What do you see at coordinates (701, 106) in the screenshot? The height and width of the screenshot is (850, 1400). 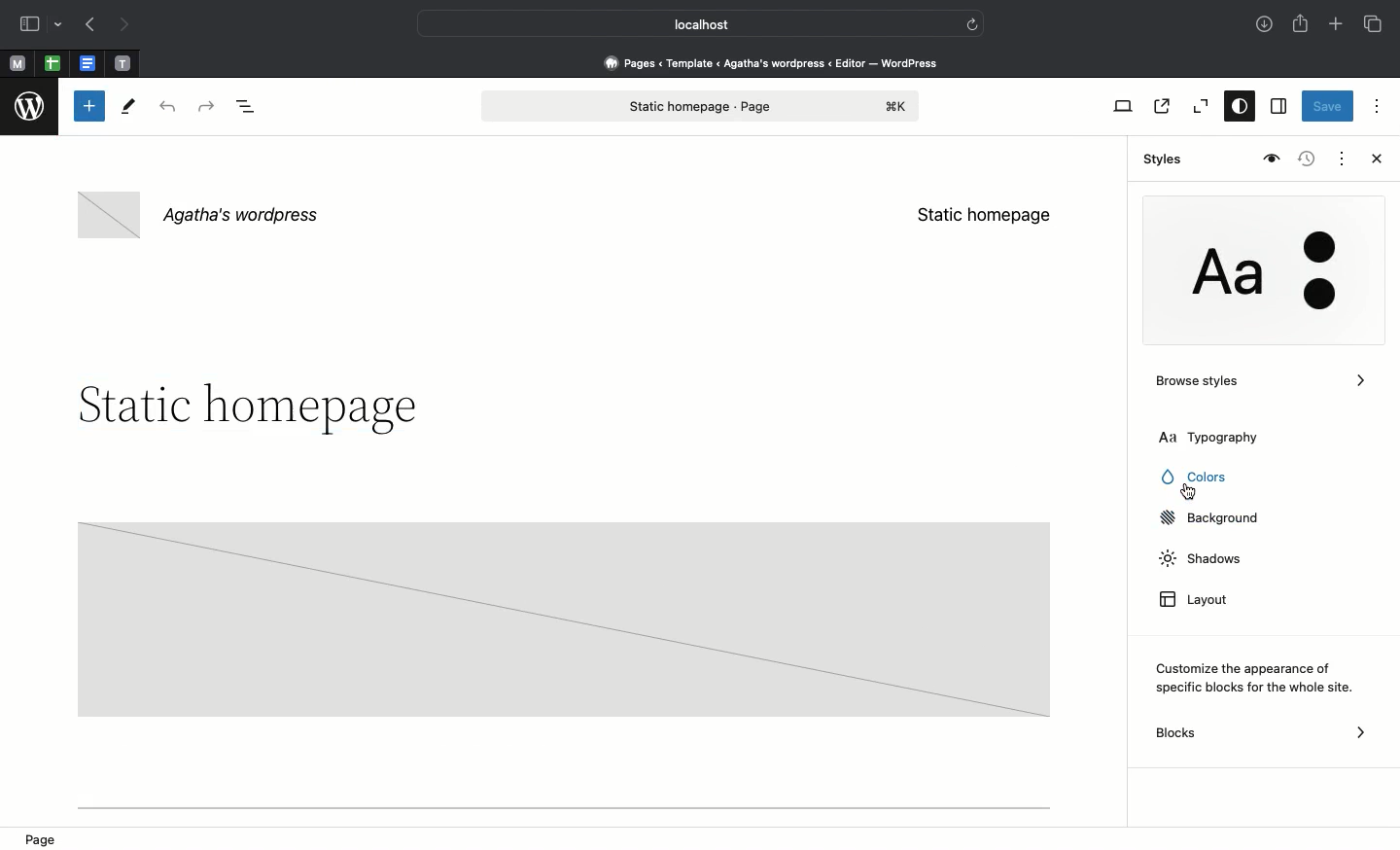 I see `Page` at bounding box center [701, 106].